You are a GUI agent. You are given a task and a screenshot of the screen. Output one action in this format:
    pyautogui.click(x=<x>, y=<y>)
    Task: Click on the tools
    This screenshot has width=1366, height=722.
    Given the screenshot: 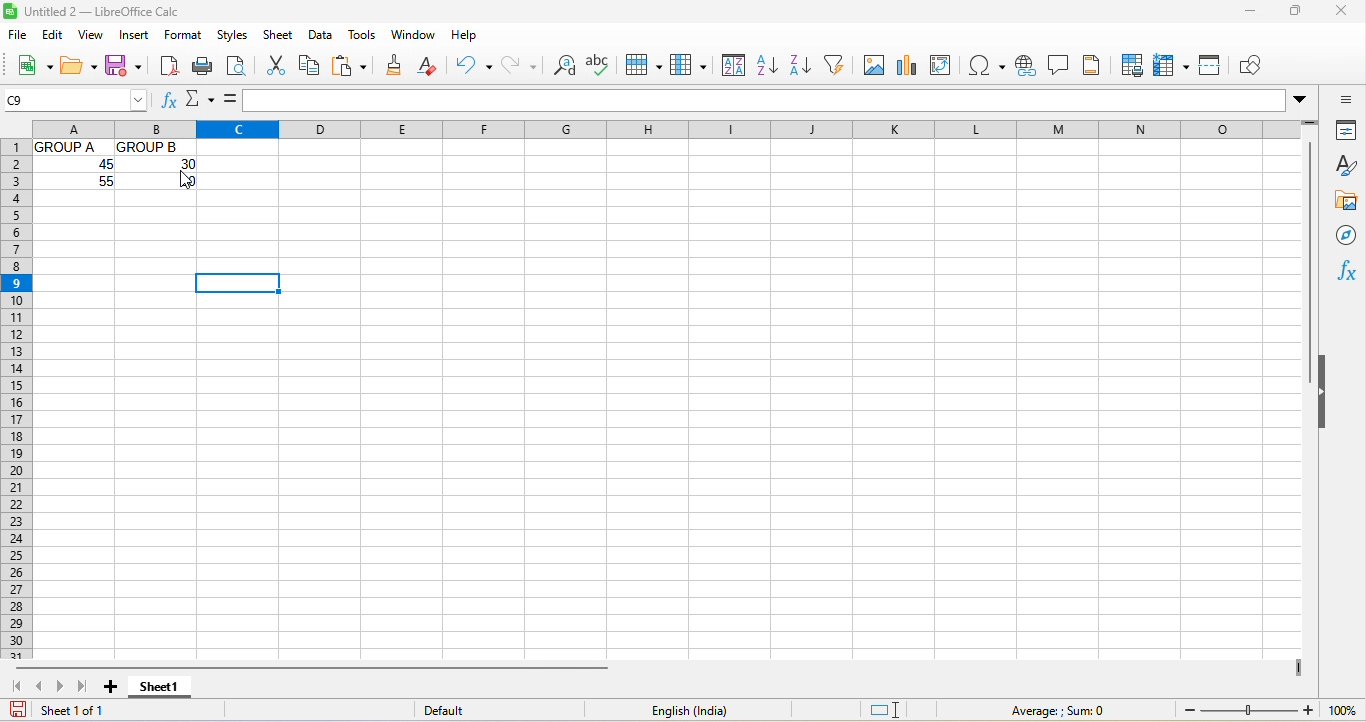 What is the action you would take?
    pyautogui.click(x=365, y=35)
    